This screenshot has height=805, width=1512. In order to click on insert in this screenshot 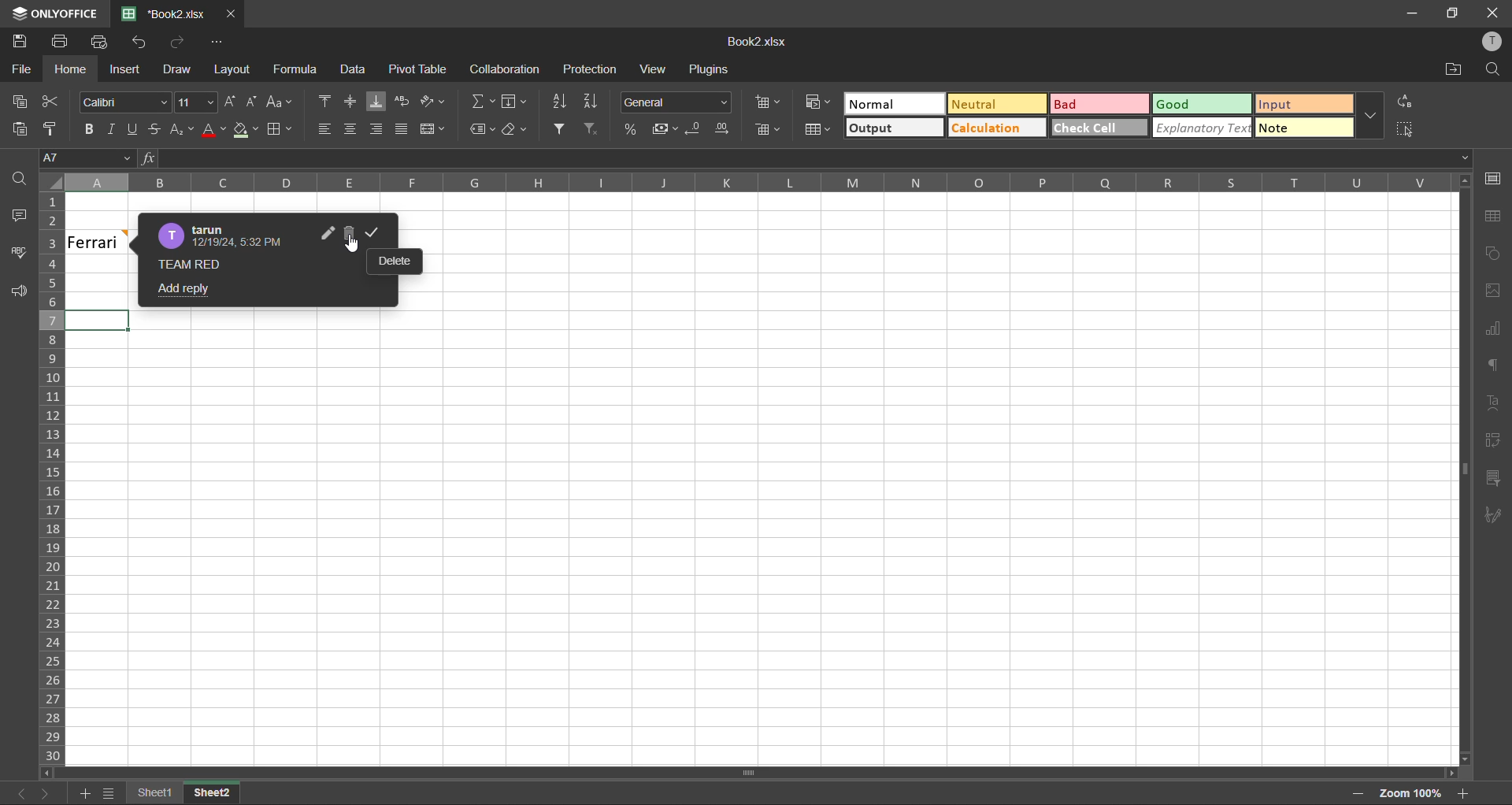, I will do `click(122, 70)`.